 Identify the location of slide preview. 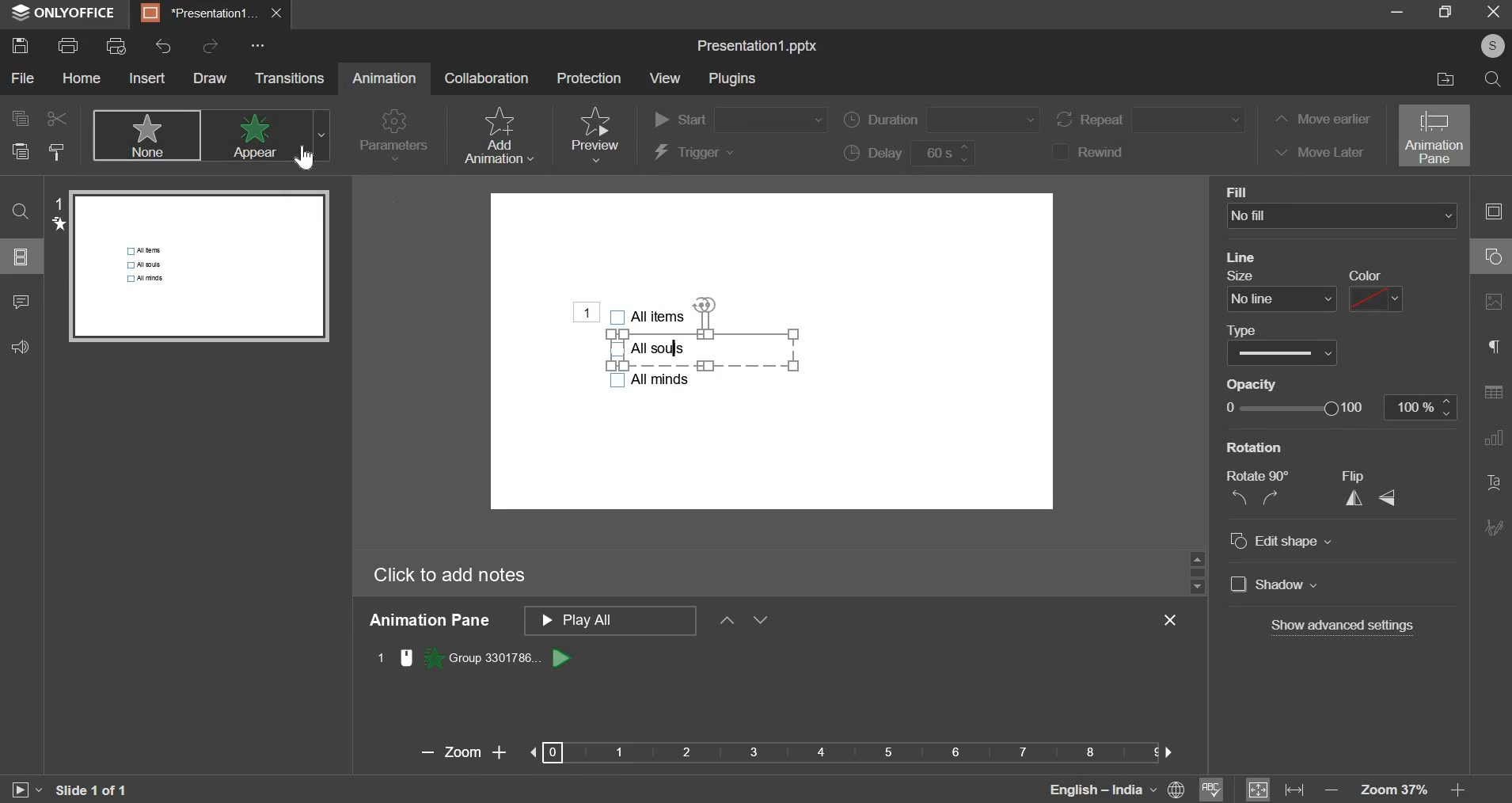
(199, 265).